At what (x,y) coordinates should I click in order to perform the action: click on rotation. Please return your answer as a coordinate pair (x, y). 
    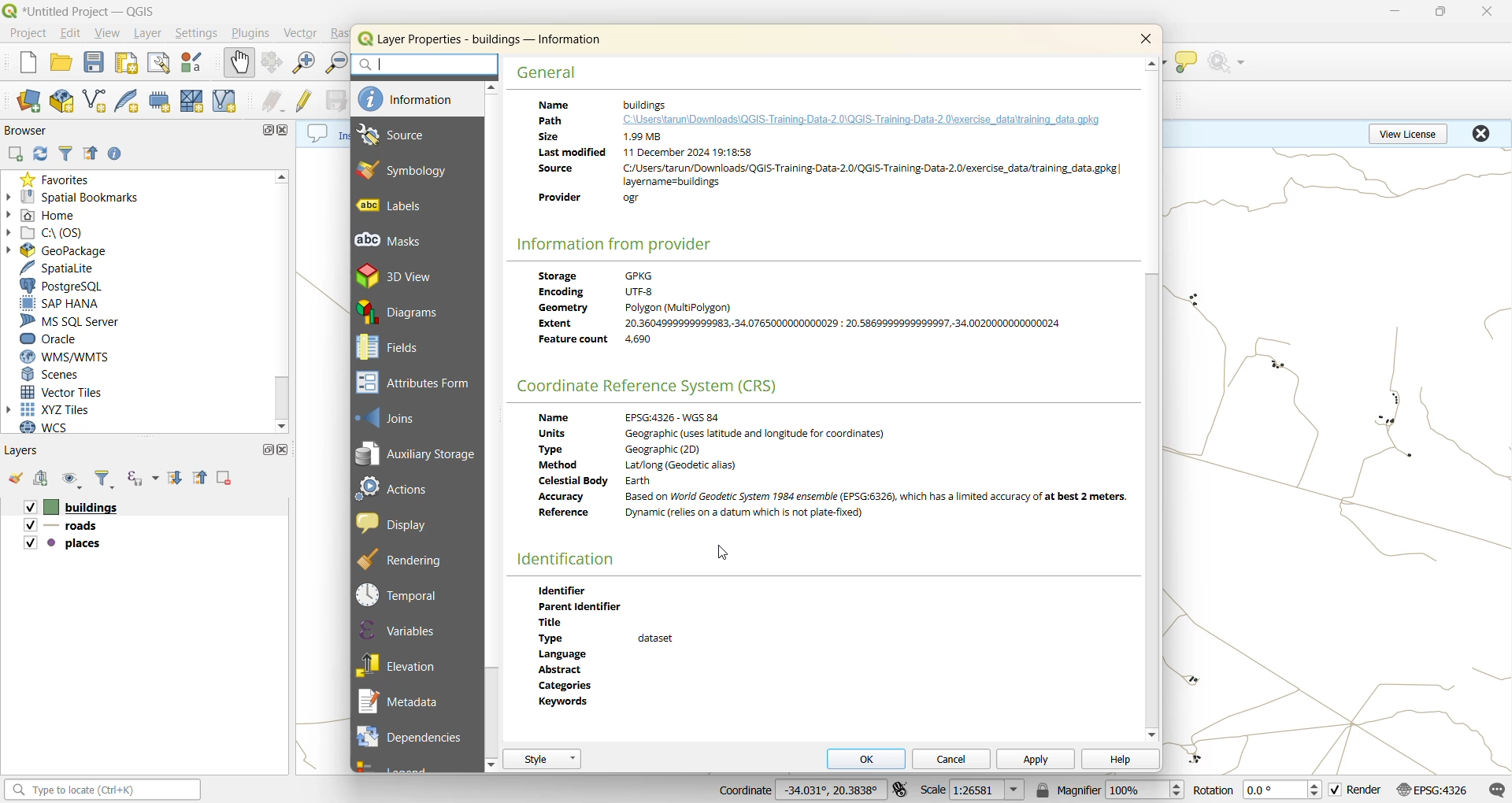
    Looking at the image, I should click on (1255, 790).